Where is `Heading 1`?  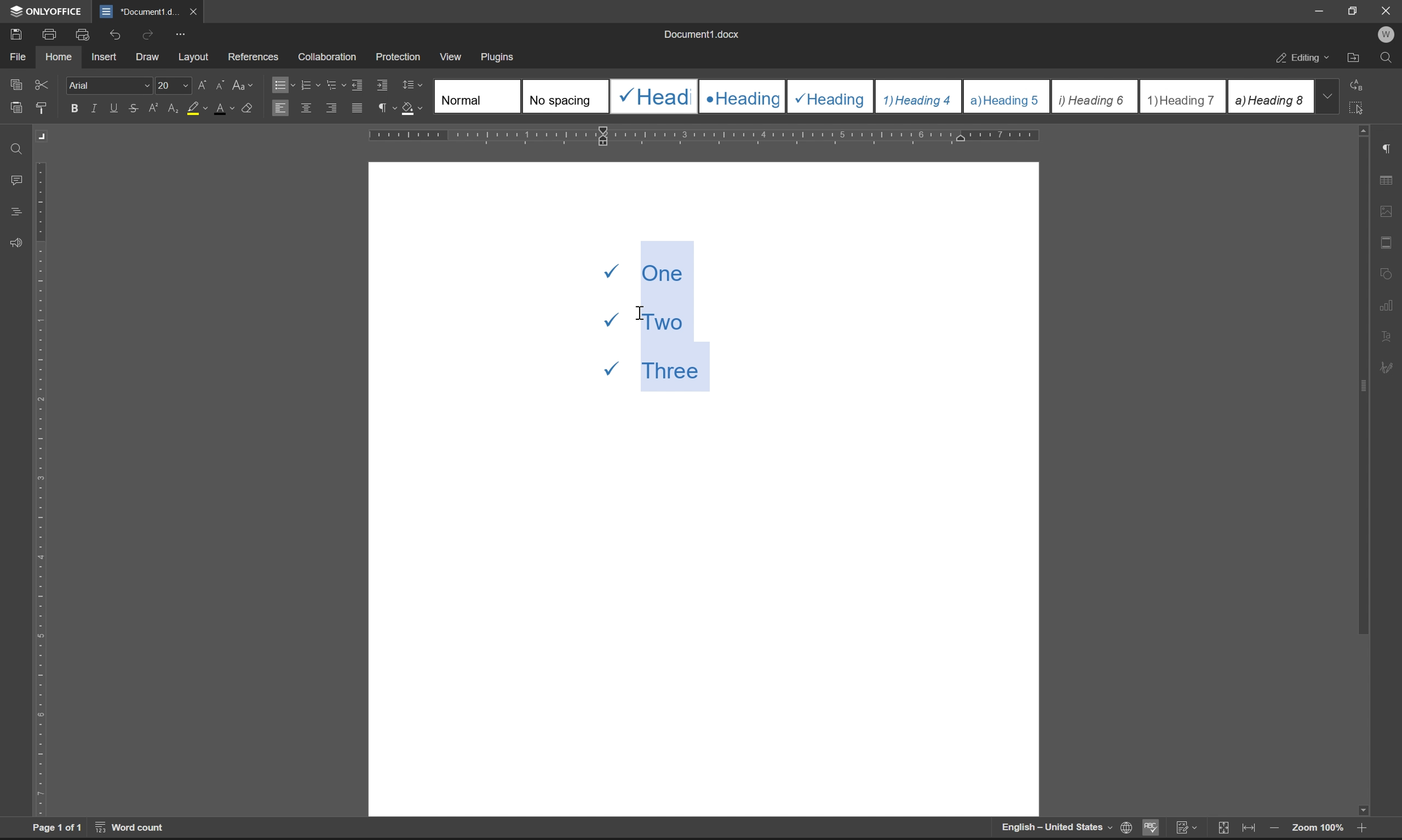 Heading 1 is located at coordinates (652, 96).